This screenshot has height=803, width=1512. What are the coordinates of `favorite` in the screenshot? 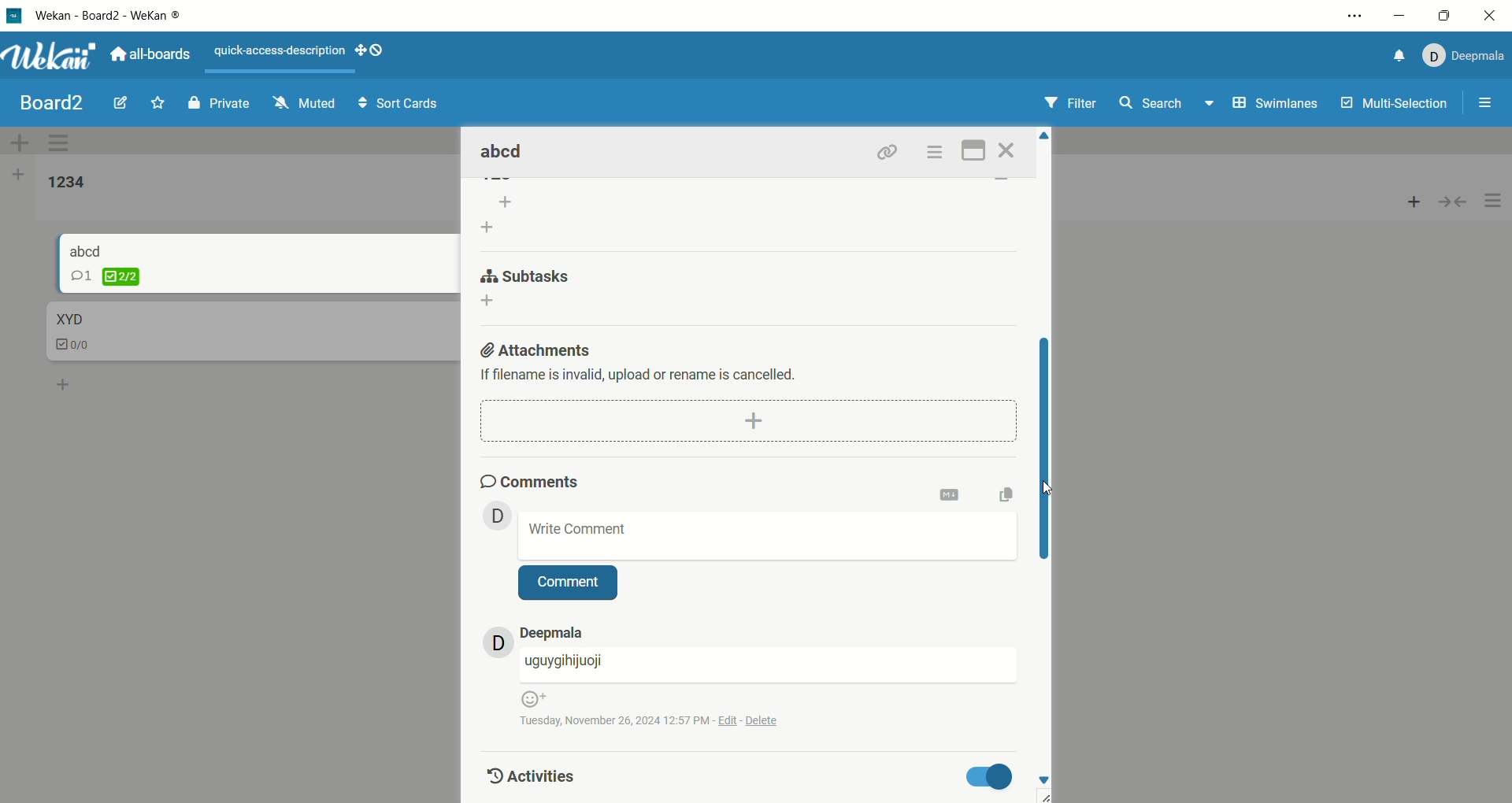 It's located at (159, 102).